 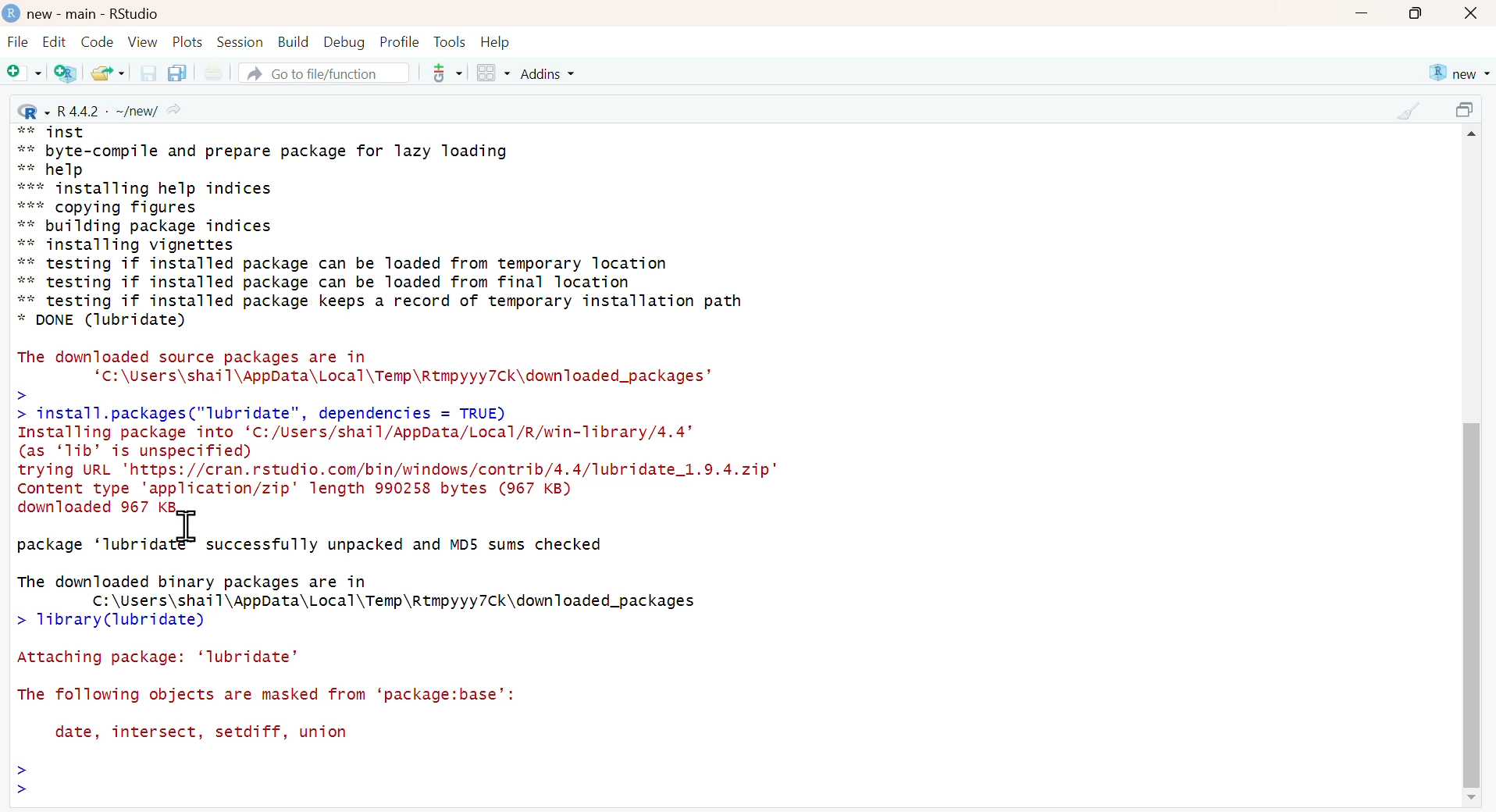 What do you see at coordinates (25, 74) in the screenshot?
I see `New file` at bounding box center [25, 74].